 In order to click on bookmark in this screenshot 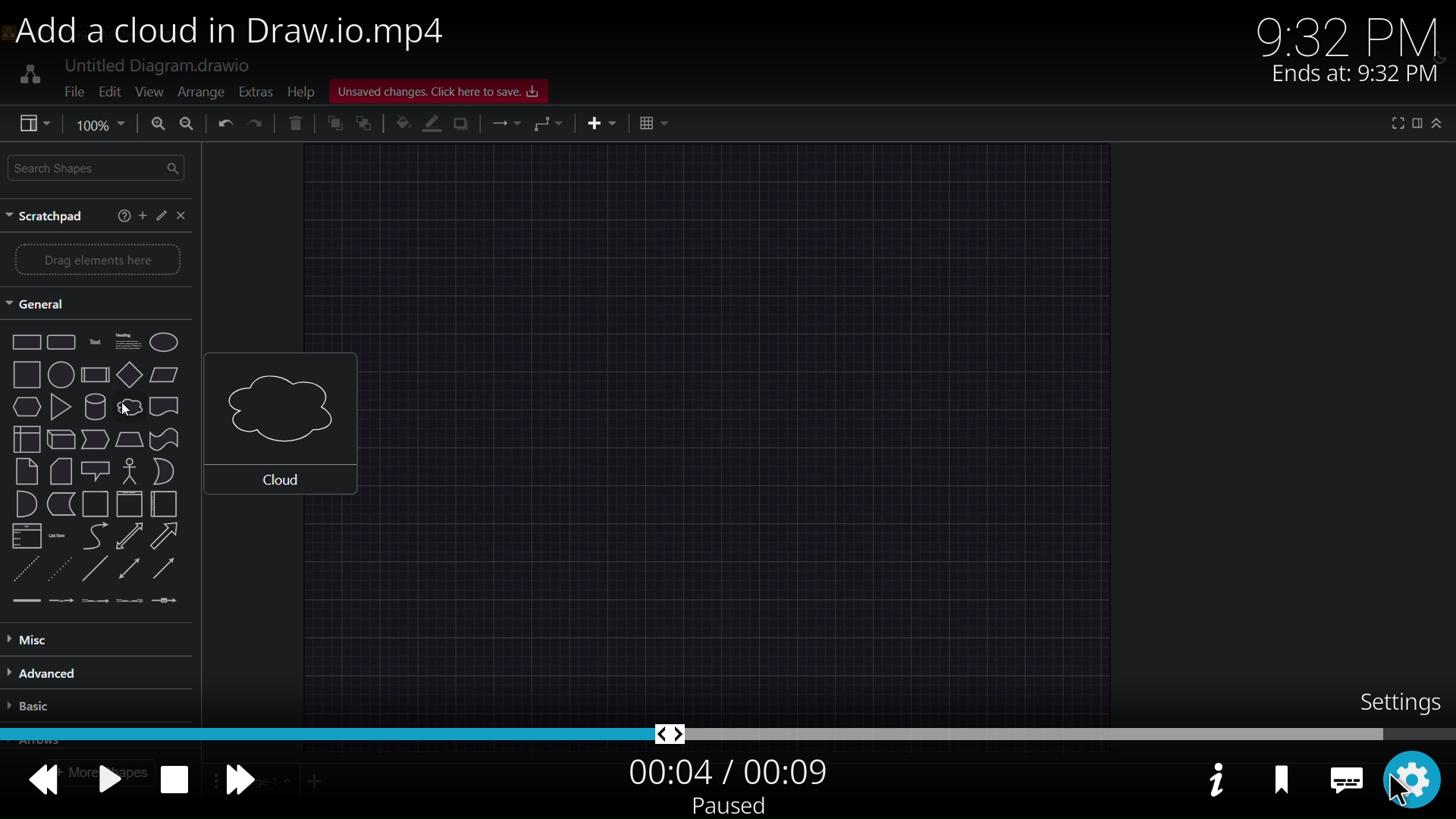, I will do `click(1285, 783)`.